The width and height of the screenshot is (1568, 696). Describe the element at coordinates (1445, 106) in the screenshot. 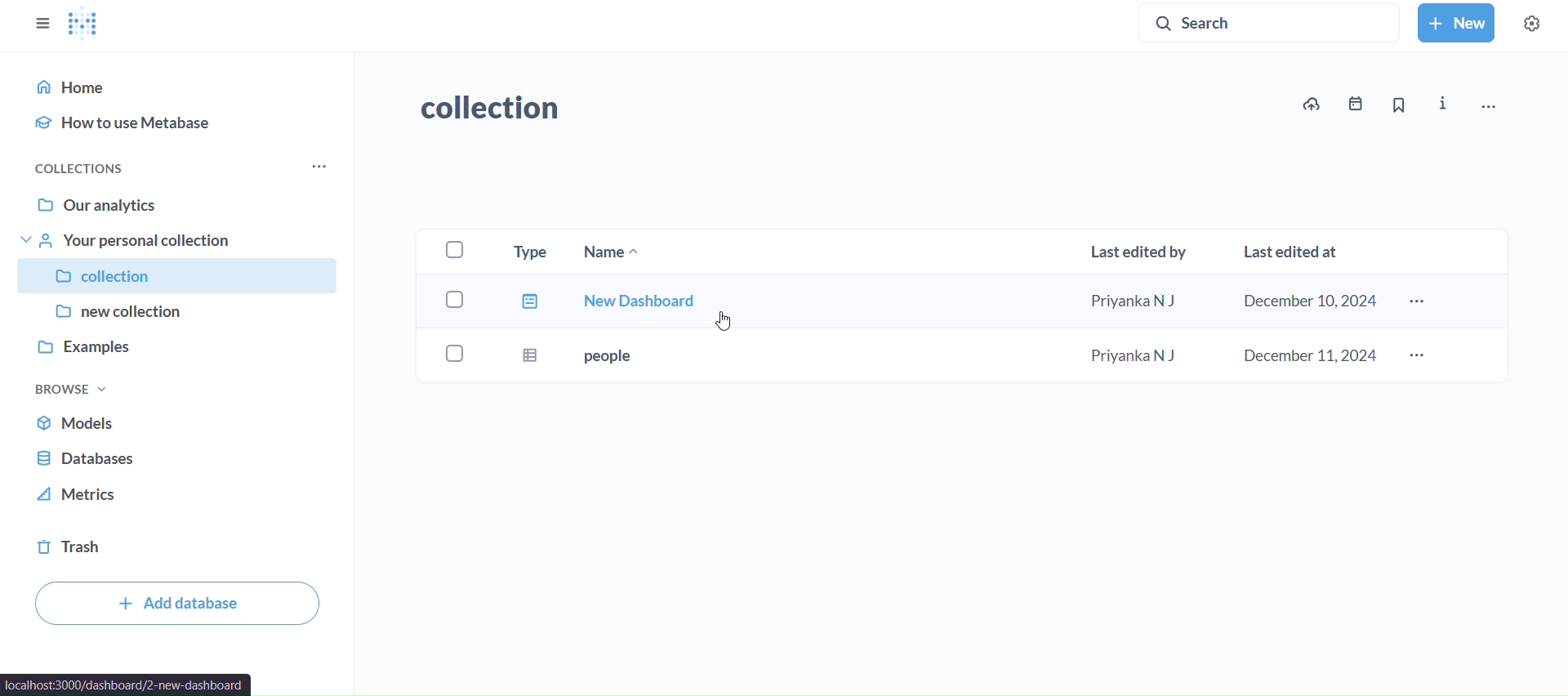

I see `info` at that location.